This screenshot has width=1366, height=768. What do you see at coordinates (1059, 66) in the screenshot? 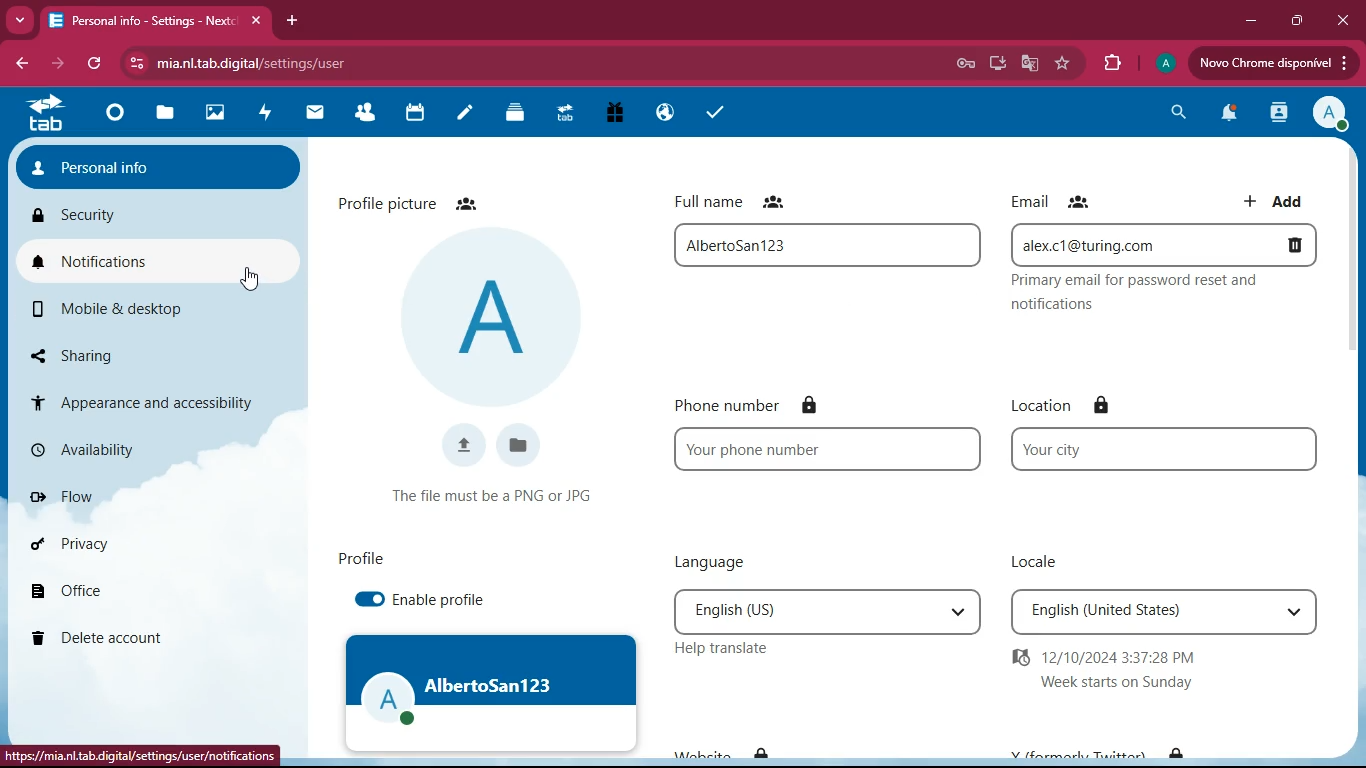
I see `favourite` at bounding box center [1059, 66].